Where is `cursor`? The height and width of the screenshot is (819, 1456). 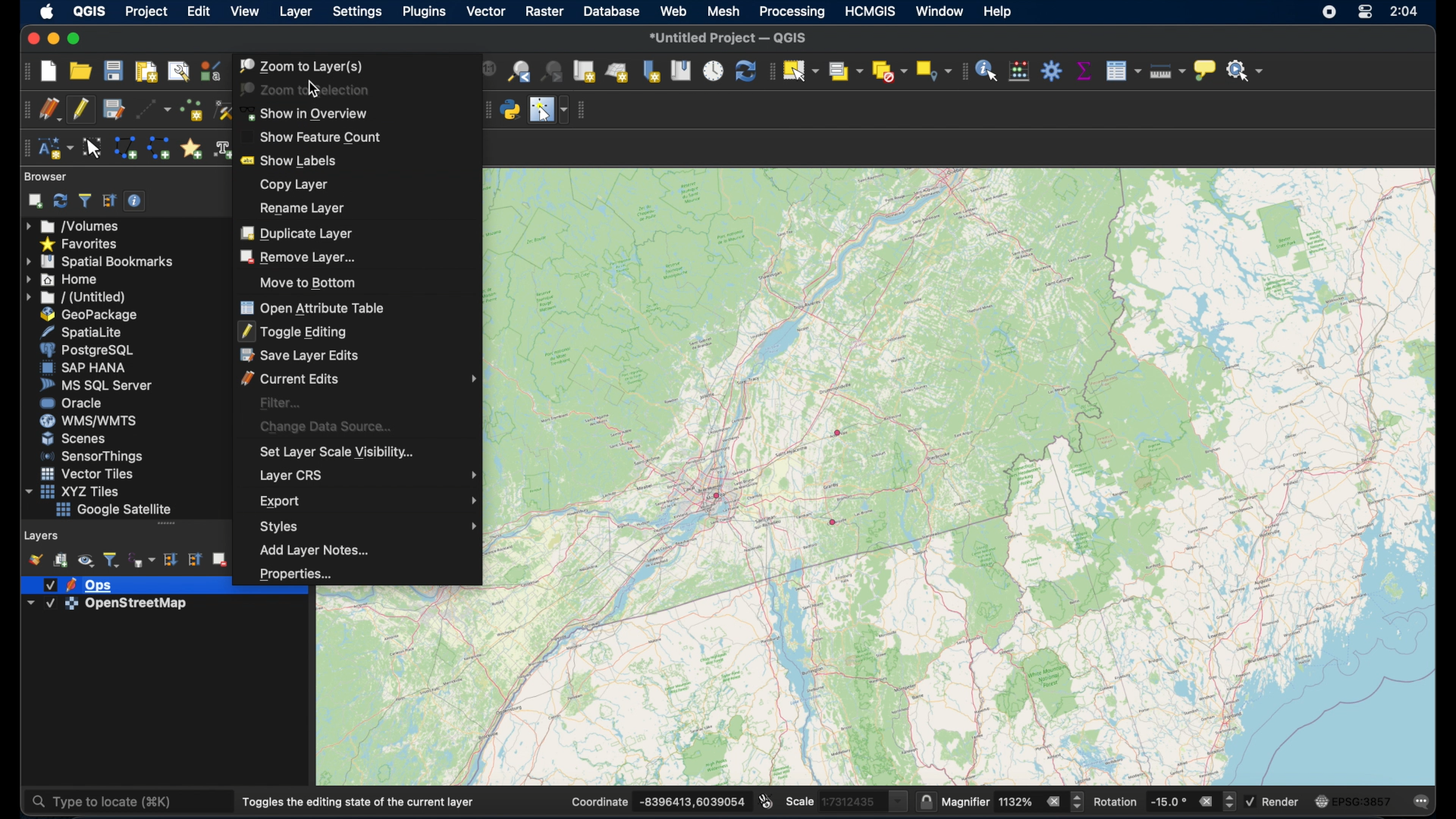
cursor is located at coordinates (317, 92).